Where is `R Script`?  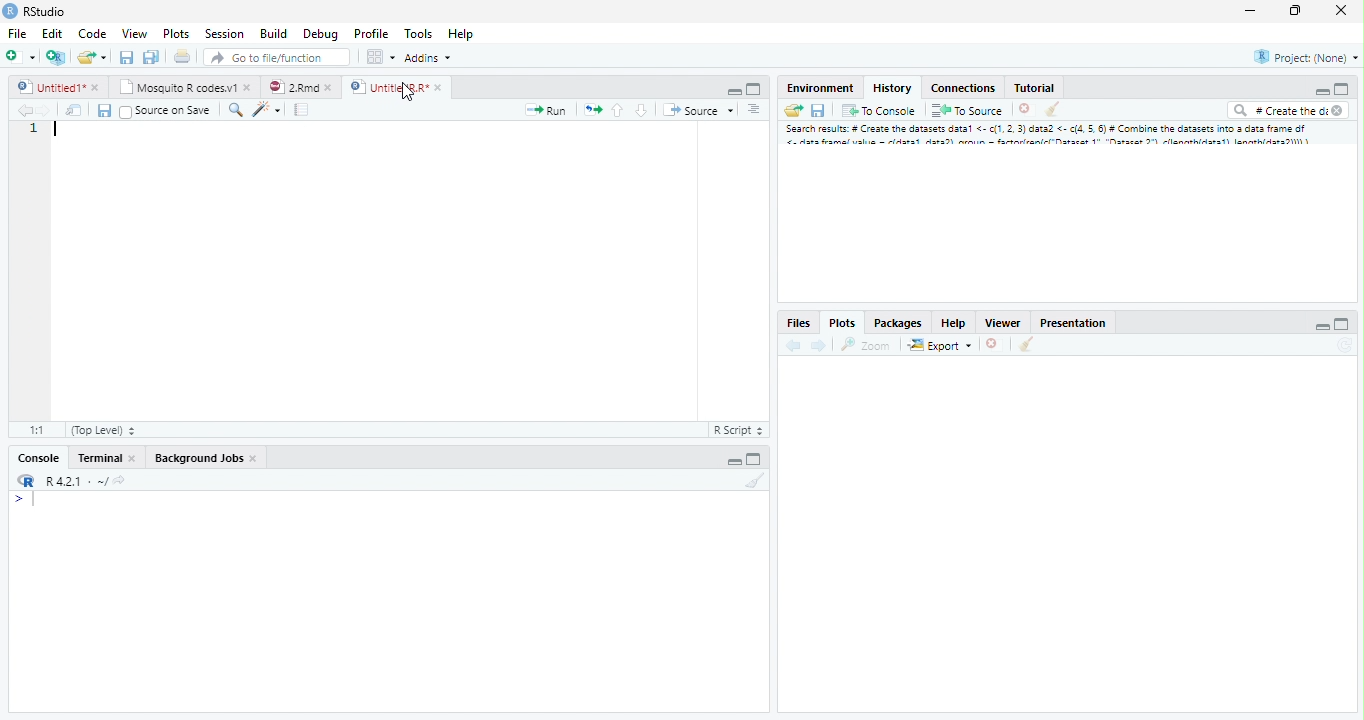
R Script is located at coordinates (738, 430).